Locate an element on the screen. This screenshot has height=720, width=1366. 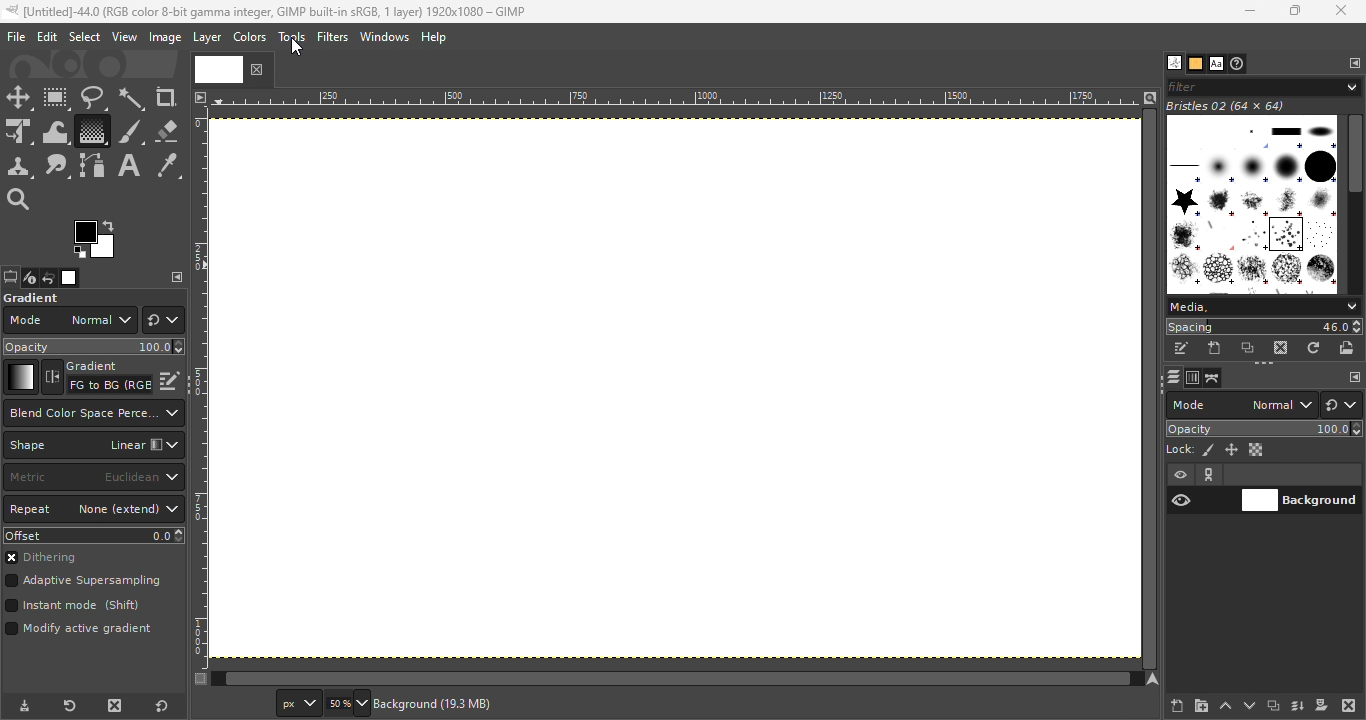
View/Hide is located at coordinates (1202, 488).